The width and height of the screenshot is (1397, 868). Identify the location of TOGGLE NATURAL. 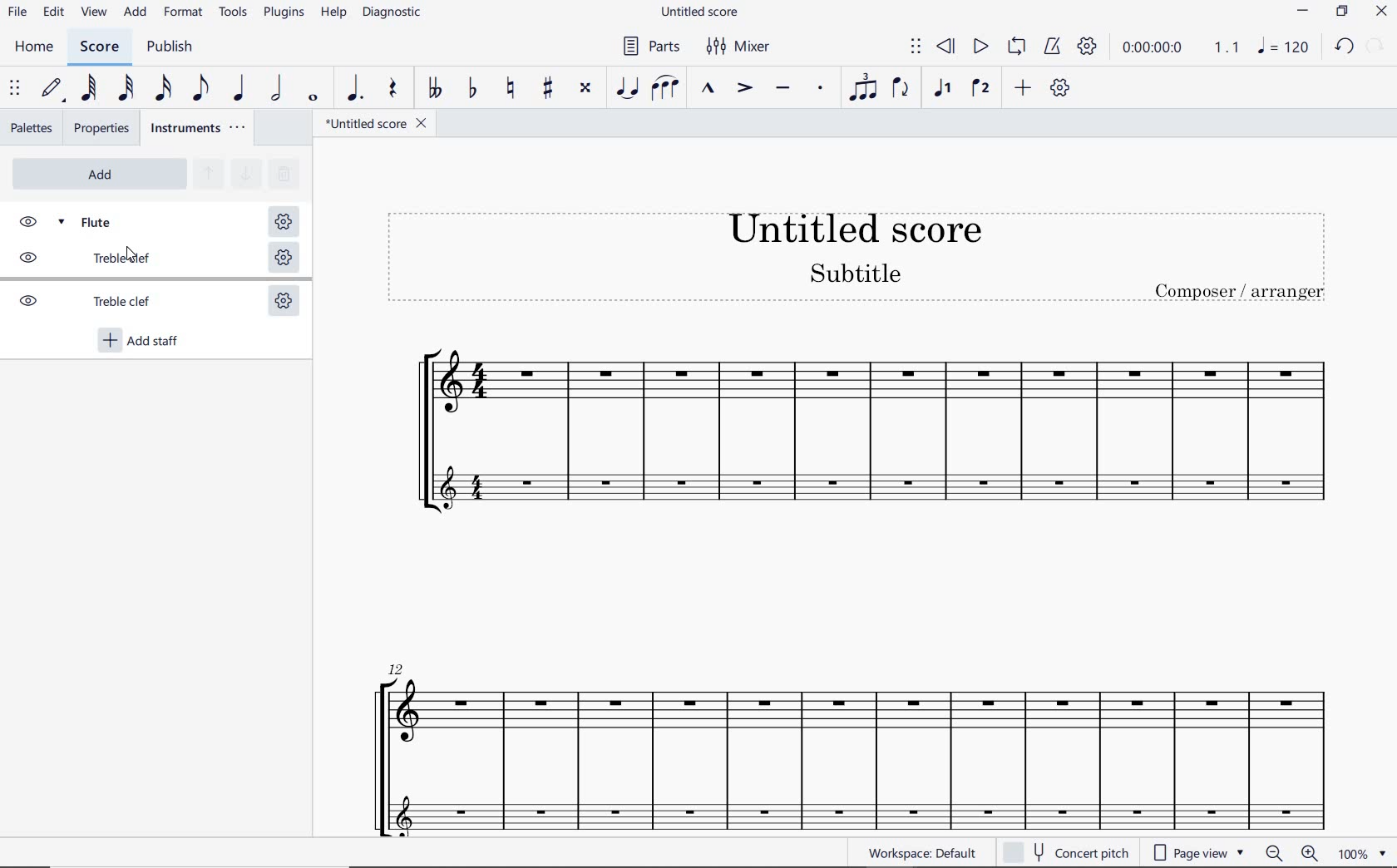
(510, 89).